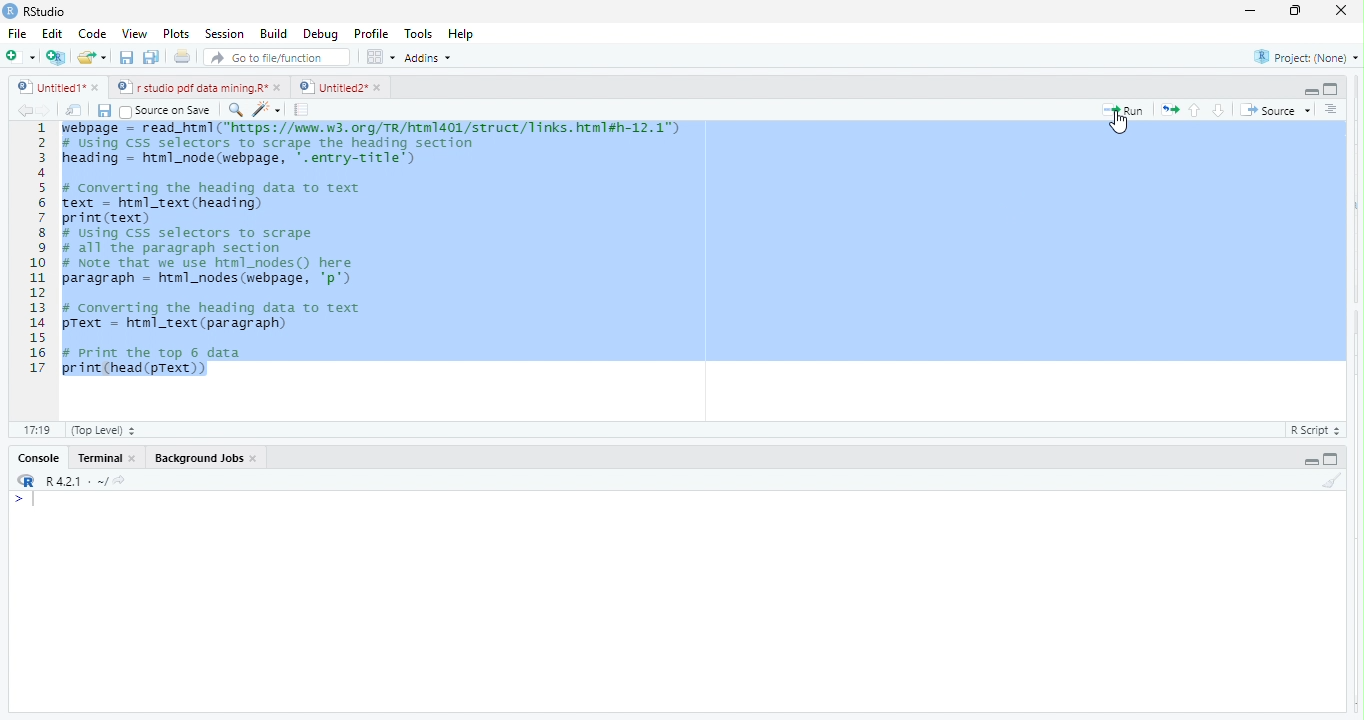 The image size is (1364, 720). What do you see at coordinates (37, 429) in the screenshot?
I see `19:19` at bounding box center [37, 429].